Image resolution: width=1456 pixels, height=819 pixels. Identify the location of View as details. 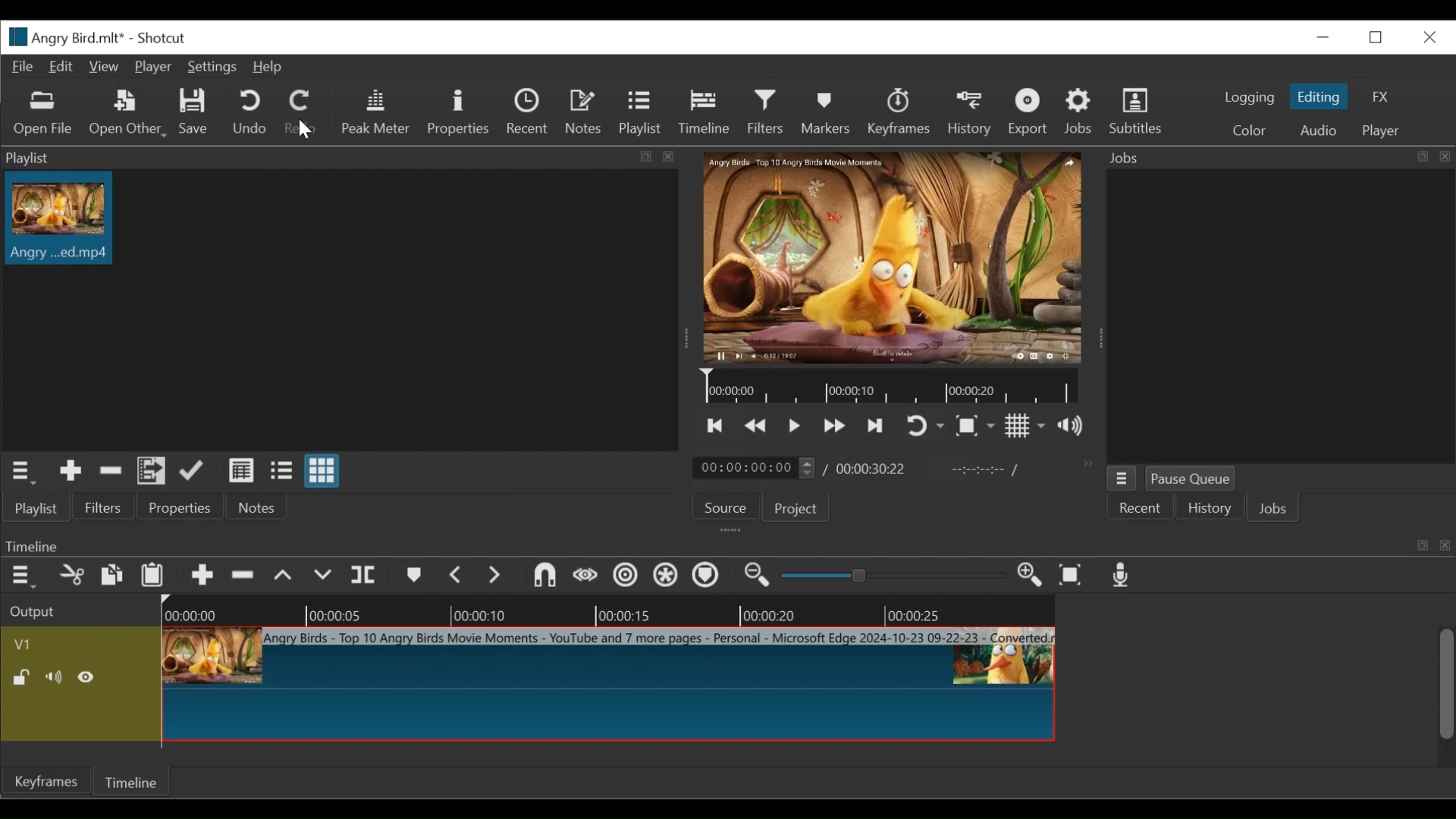
(242, 470).